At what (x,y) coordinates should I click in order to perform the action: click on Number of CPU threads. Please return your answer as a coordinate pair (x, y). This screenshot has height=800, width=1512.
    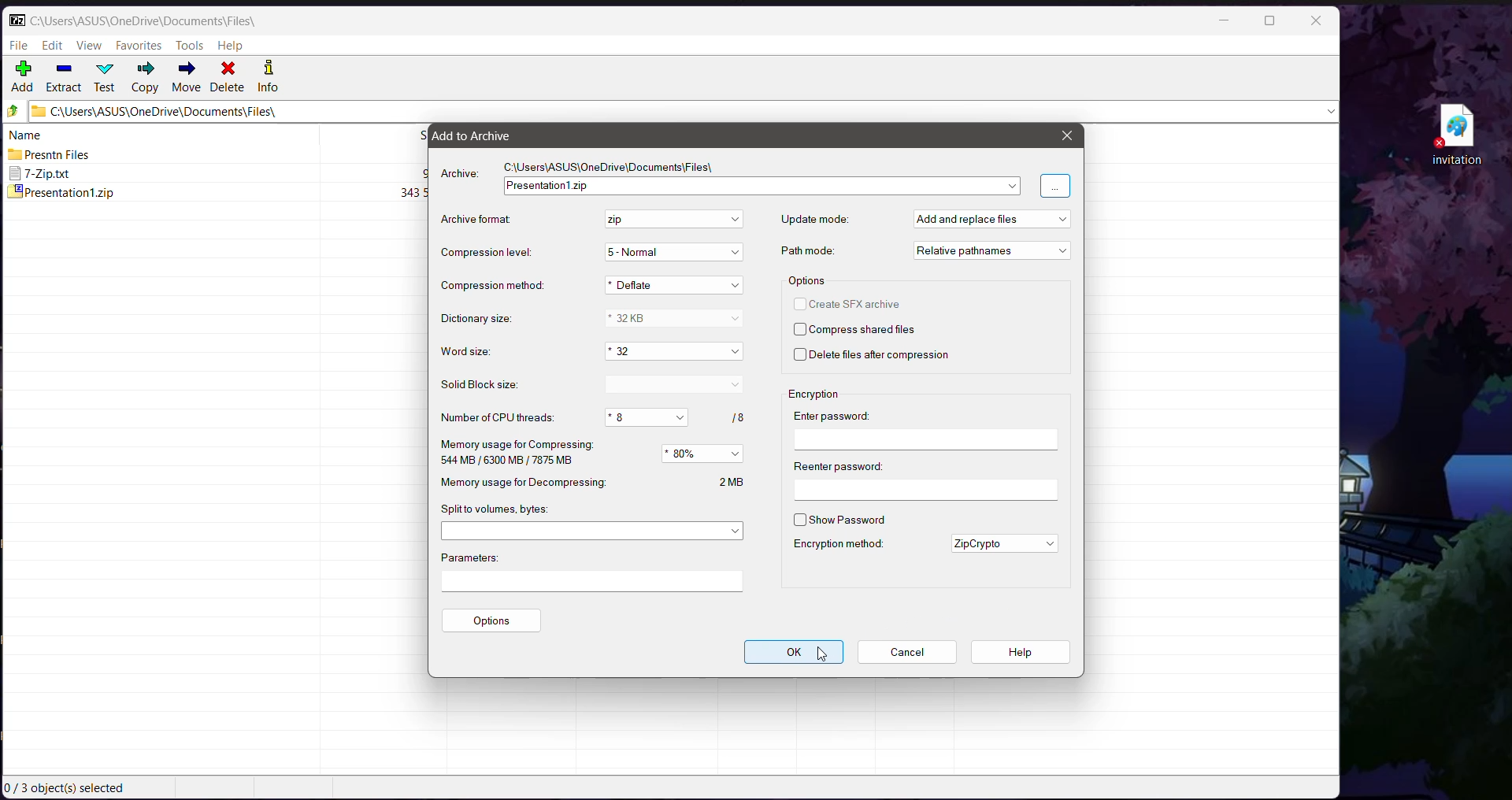
    Looking at the image, I should click on (496, 417).